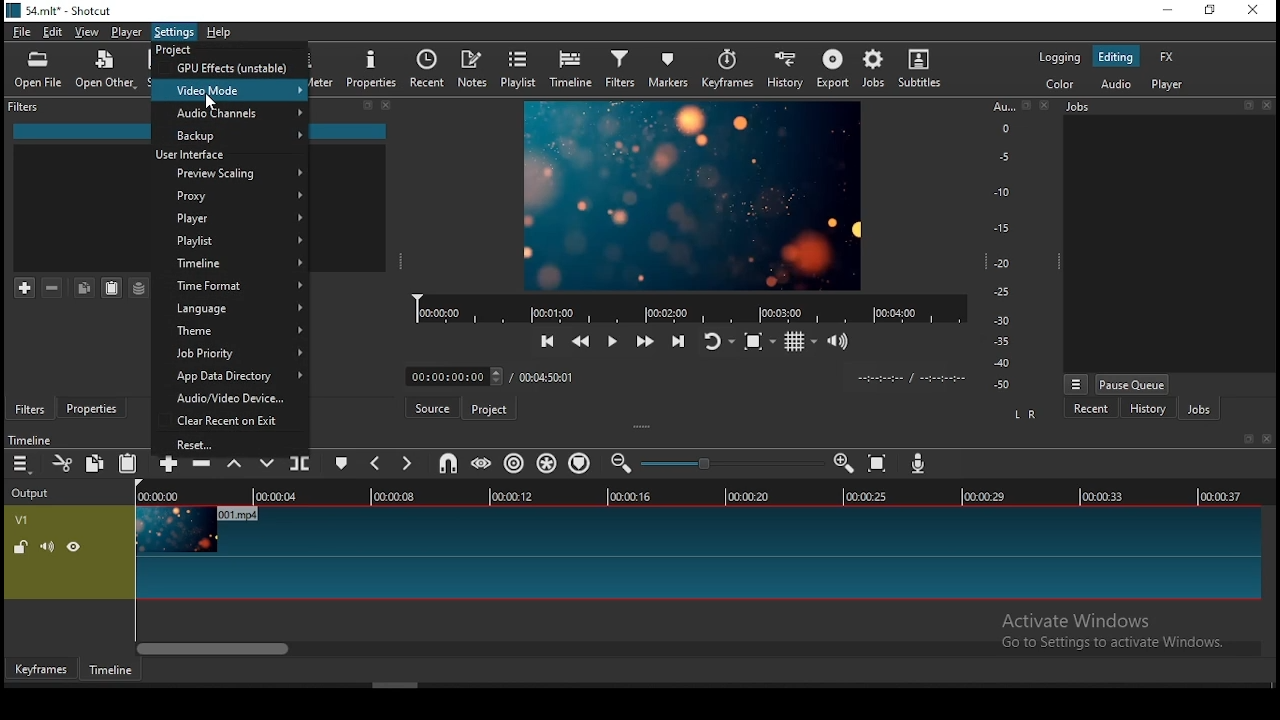 The image size is (1280, 720). Describe the element at coordinates (515, 463) in the screenshot. I see `ripple` at that location.